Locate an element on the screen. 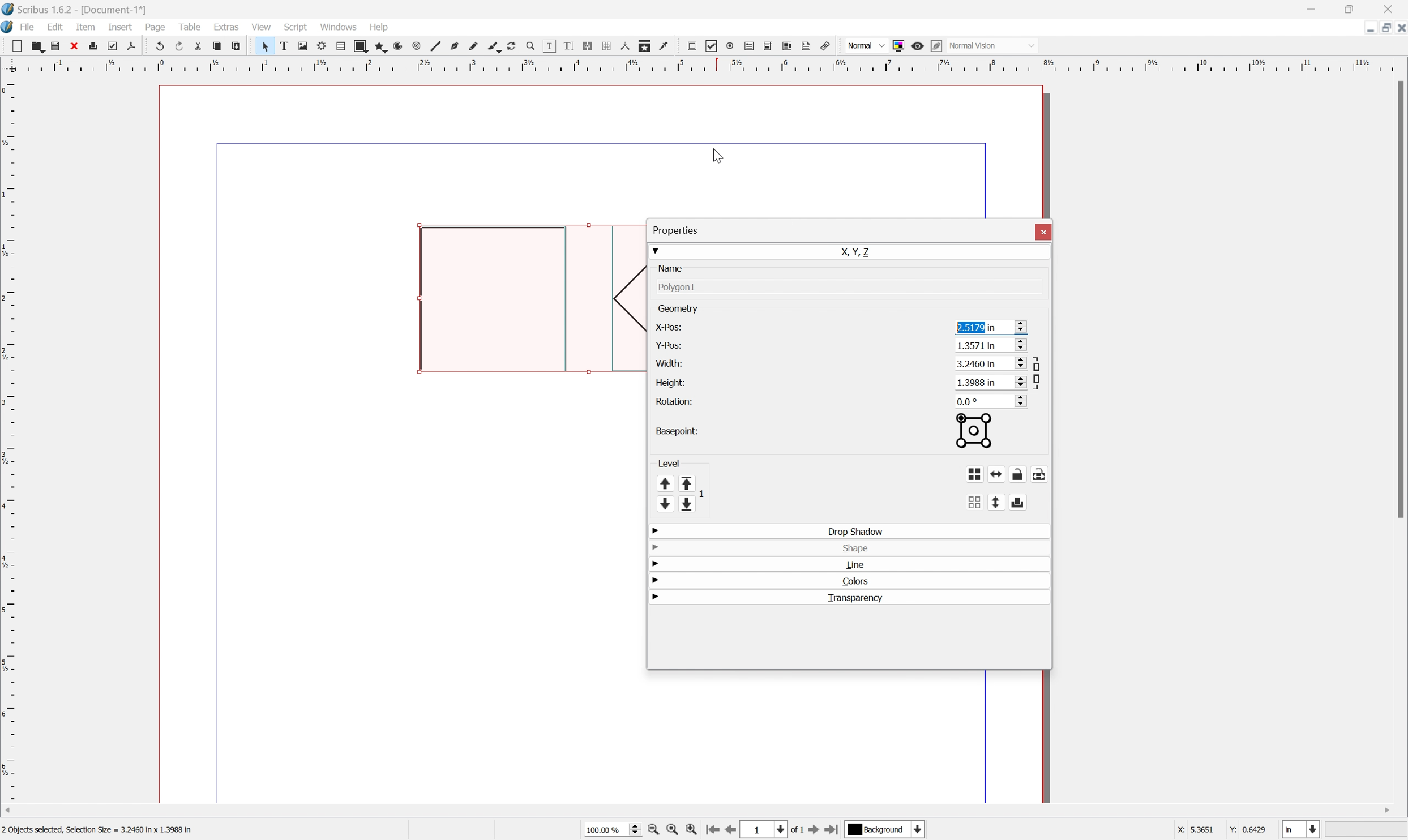 Image resolution: width=1408 pixels, height=840 pixels. save is located at coordinates (52, 44).